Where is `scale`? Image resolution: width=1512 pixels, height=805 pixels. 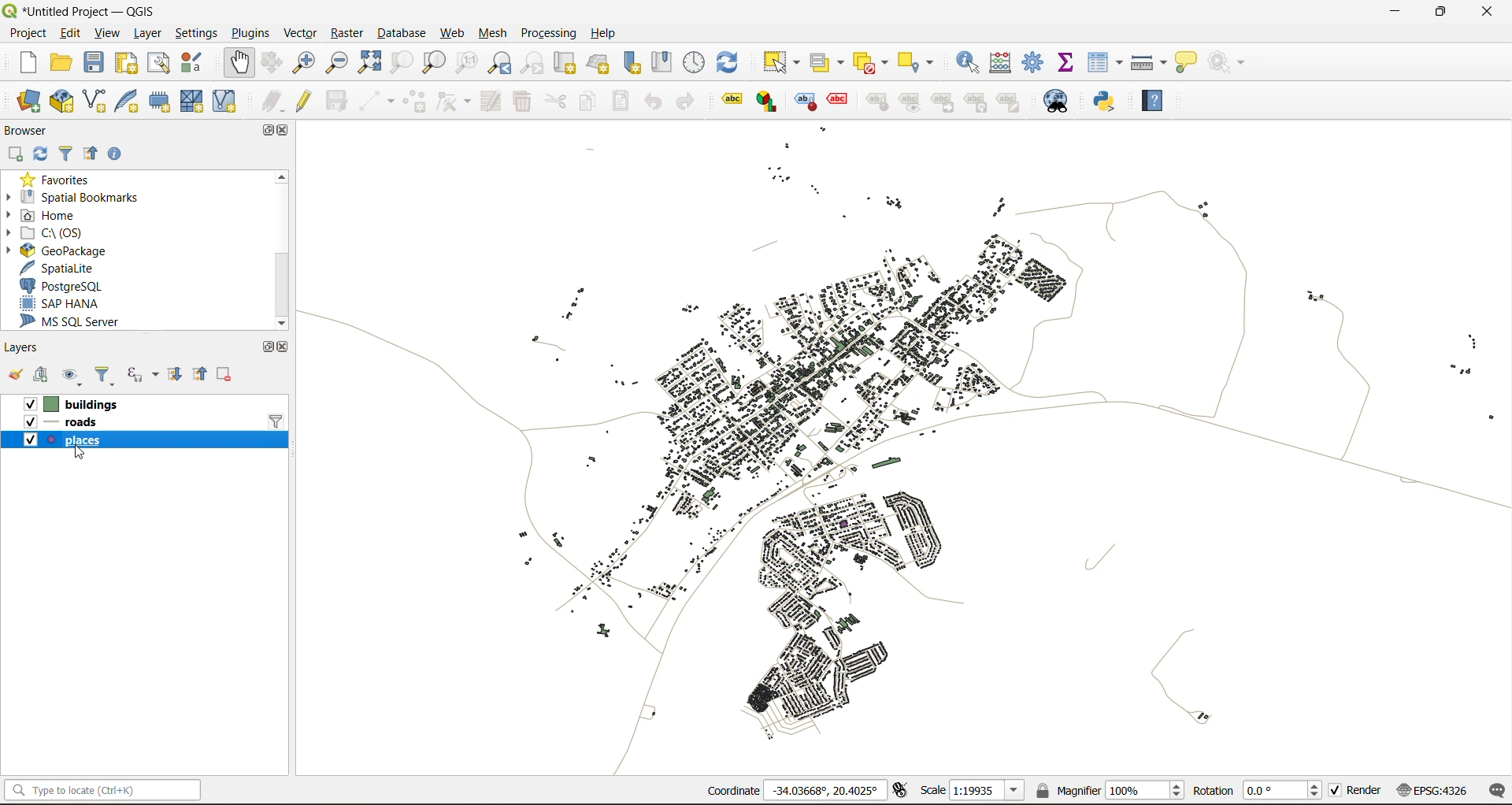
scale is located at coordinates (973, 792).